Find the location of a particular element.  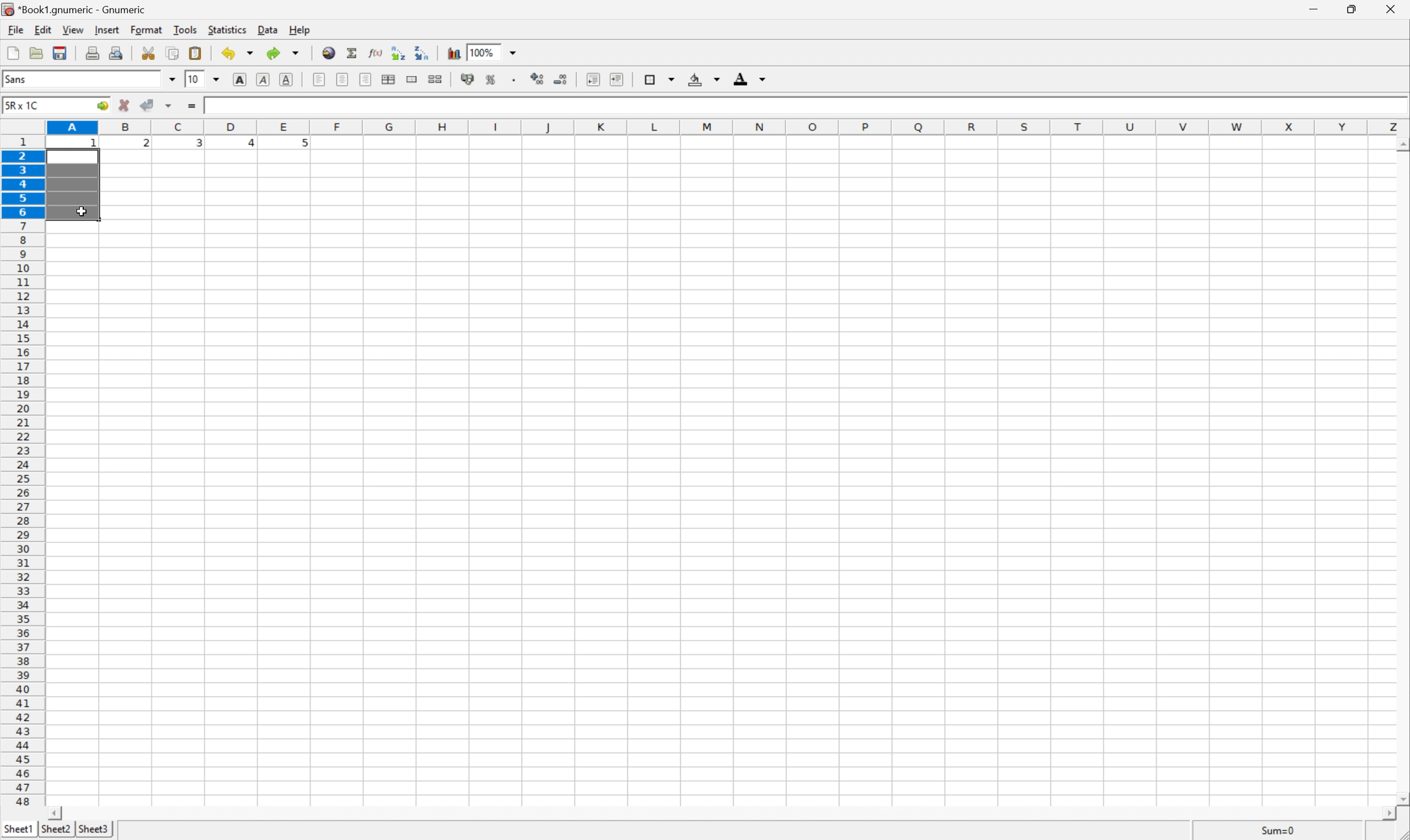

bold is located at coordinates (242, 79).